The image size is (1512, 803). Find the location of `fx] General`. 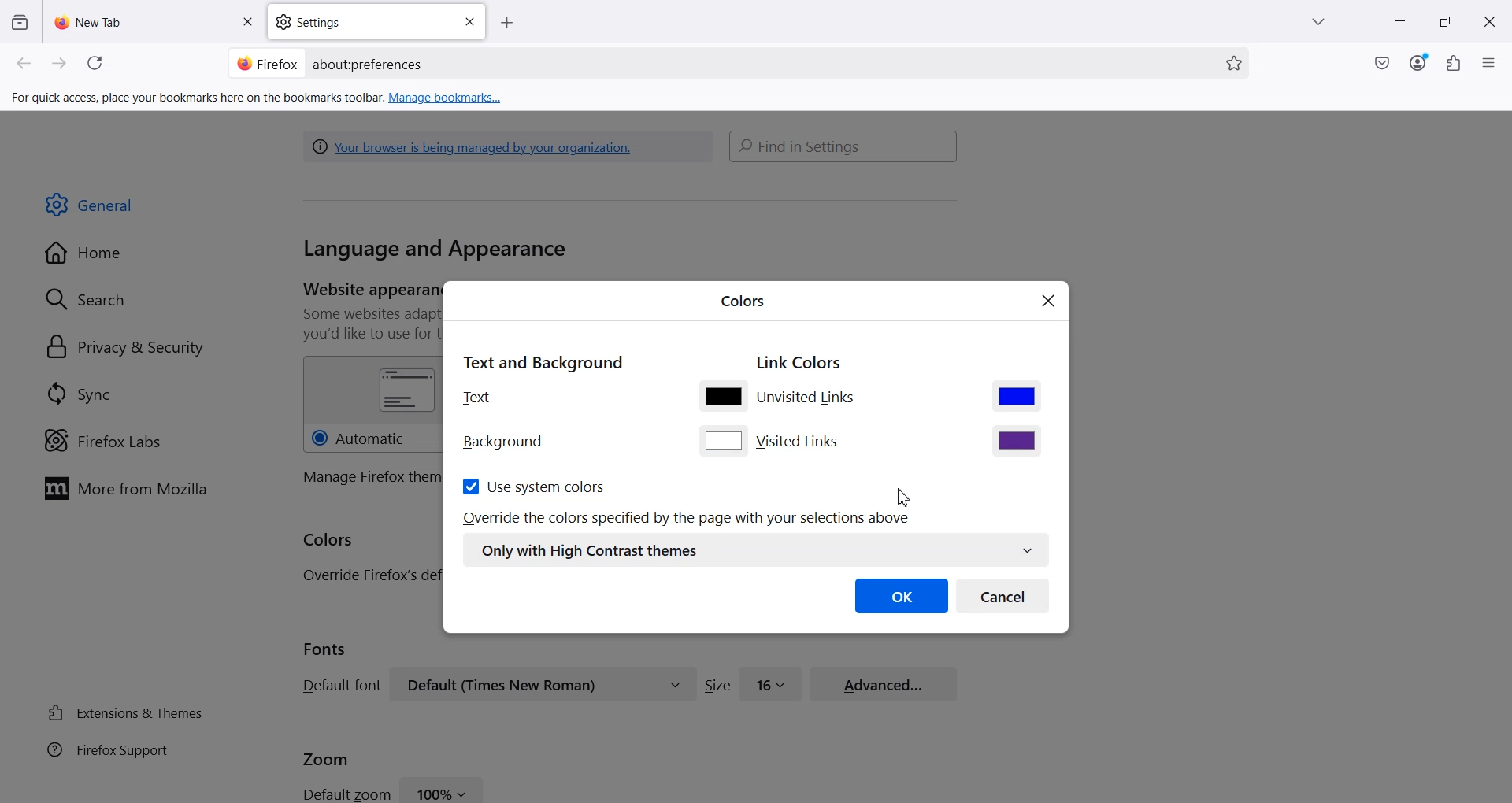

fx] General is located at coordinates (90, 205).